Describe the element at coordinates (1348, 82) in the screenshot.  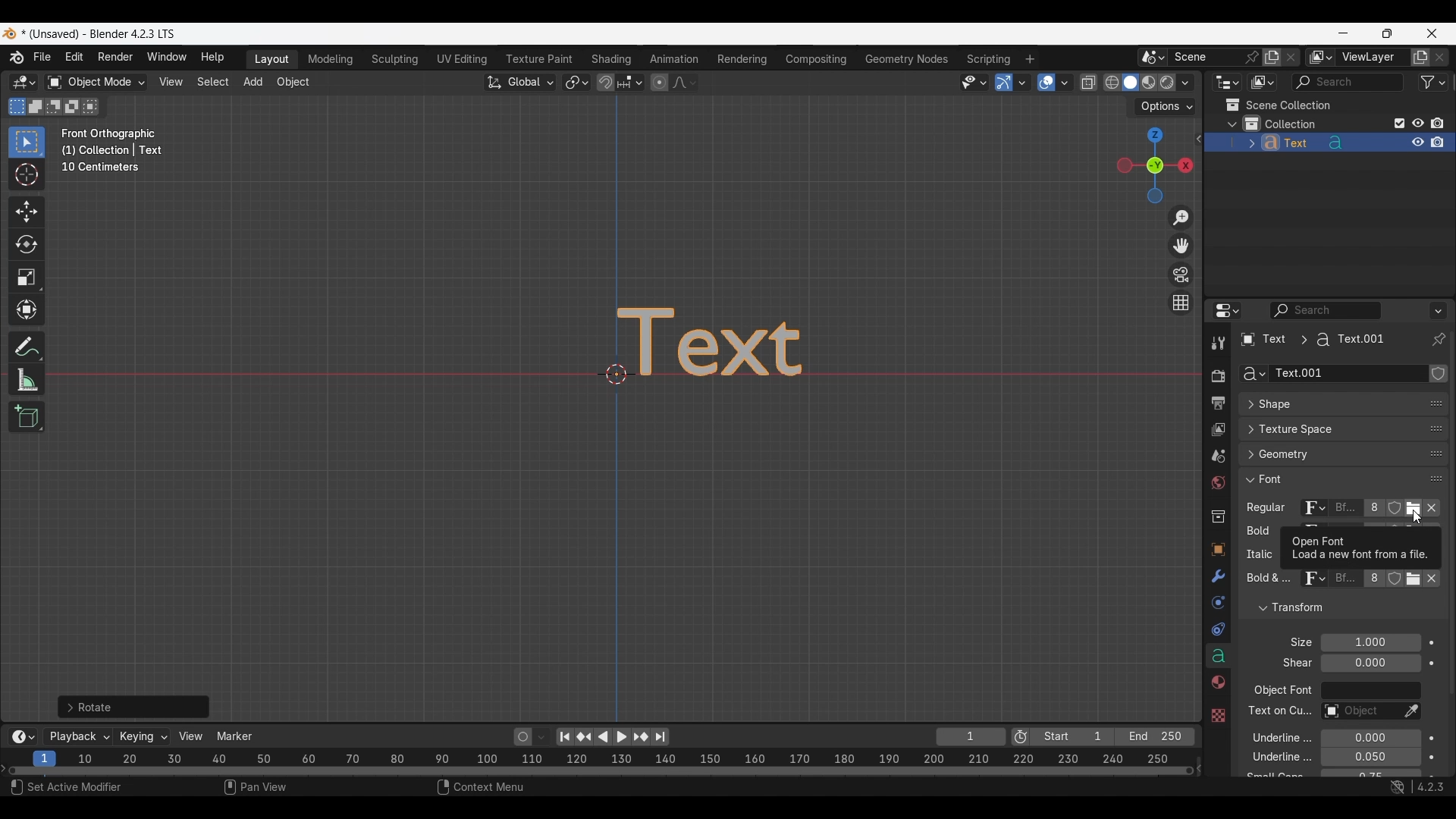
I see `Display filter` at that location.